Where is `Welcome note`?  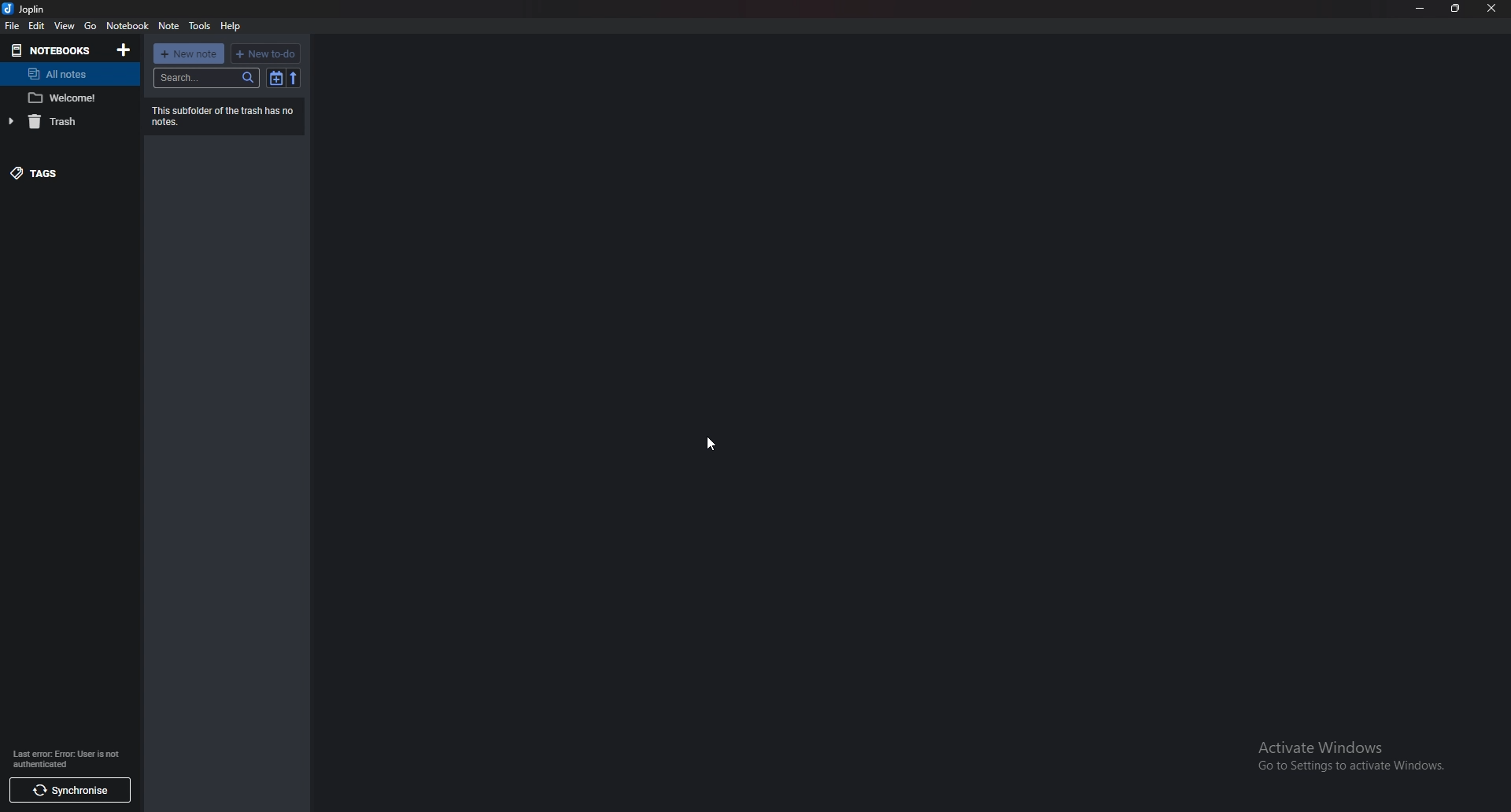
Welcome note is located at coordinates (70, 98).